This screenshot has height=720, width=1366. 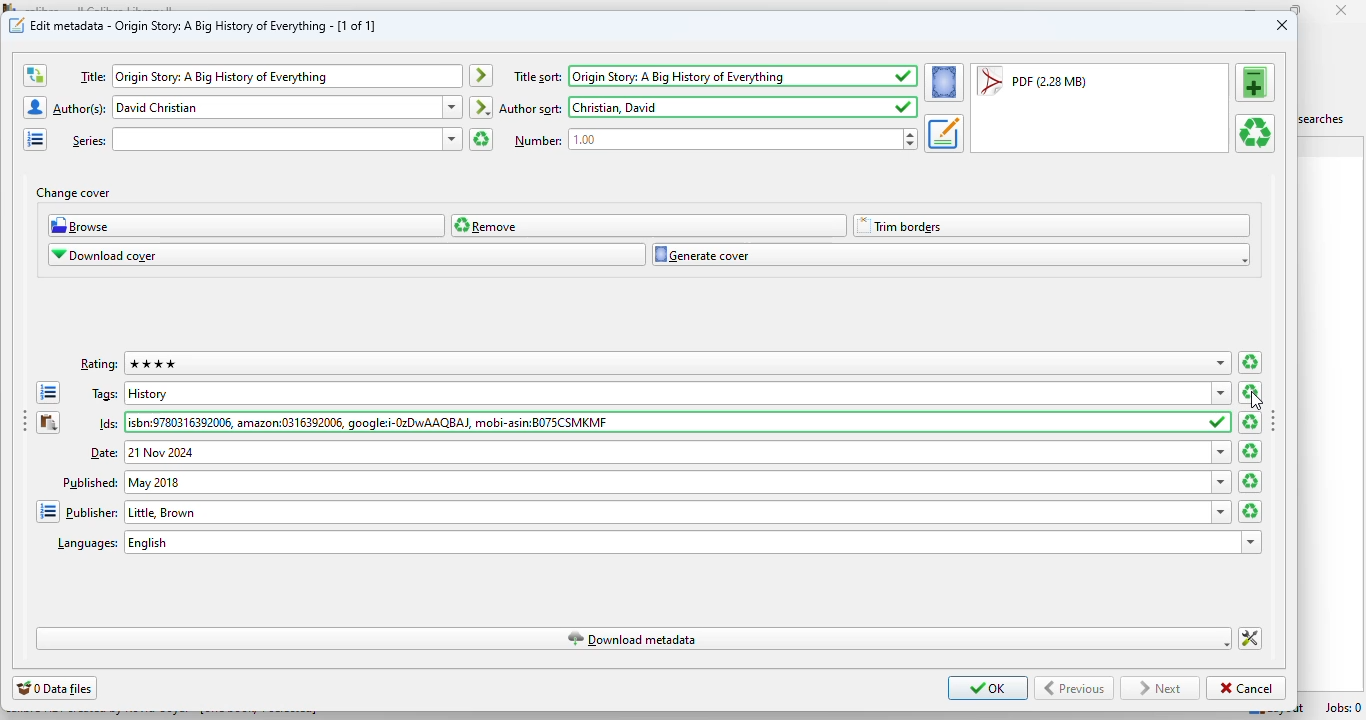 What do you see at coordinates (49, 422) in the screenshot?
I see `paste` at bounding box center [49, 422].